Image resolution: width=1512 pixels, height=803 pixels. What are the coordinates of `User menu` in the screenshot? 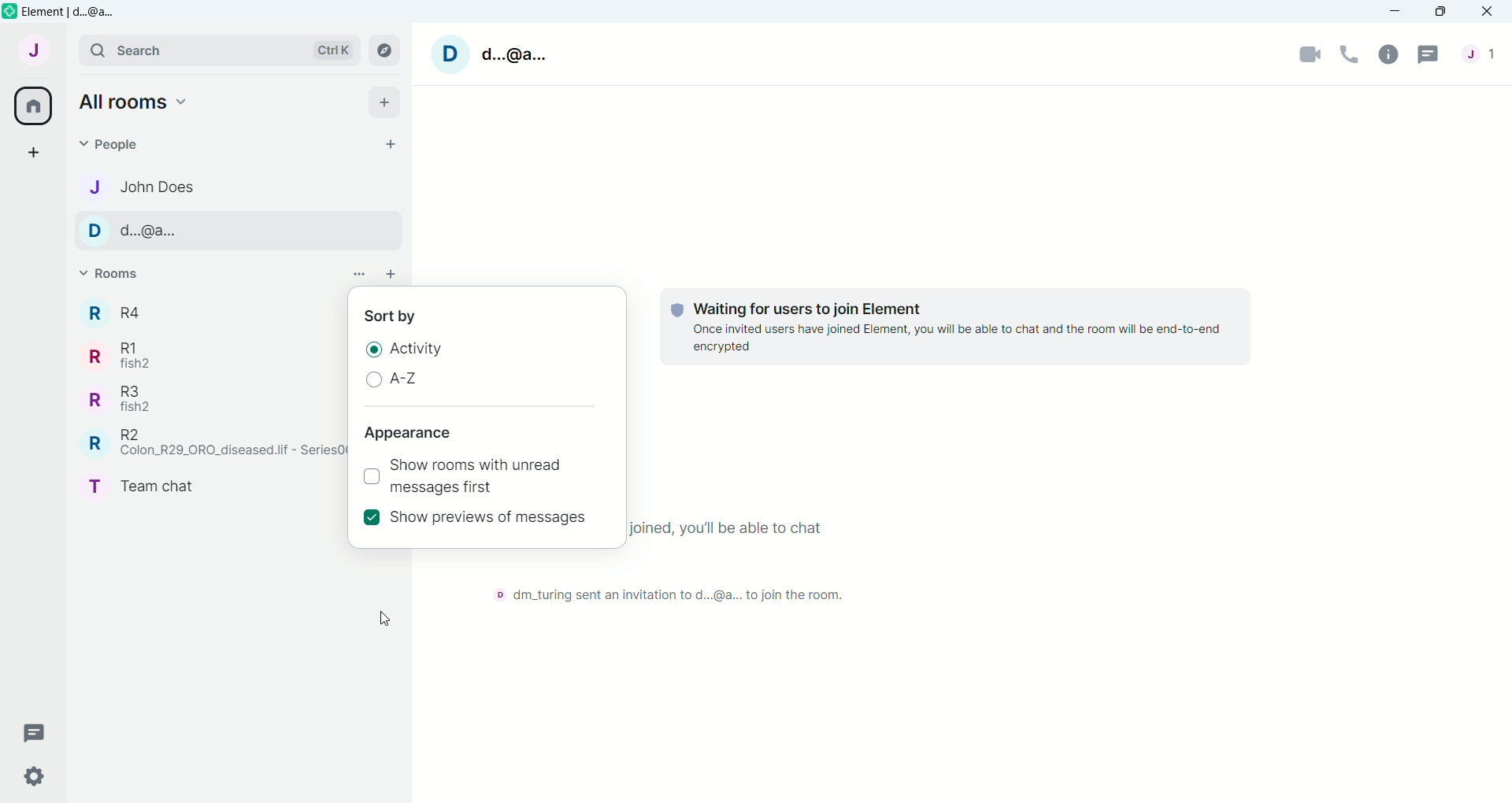 It's located at (35, 48).